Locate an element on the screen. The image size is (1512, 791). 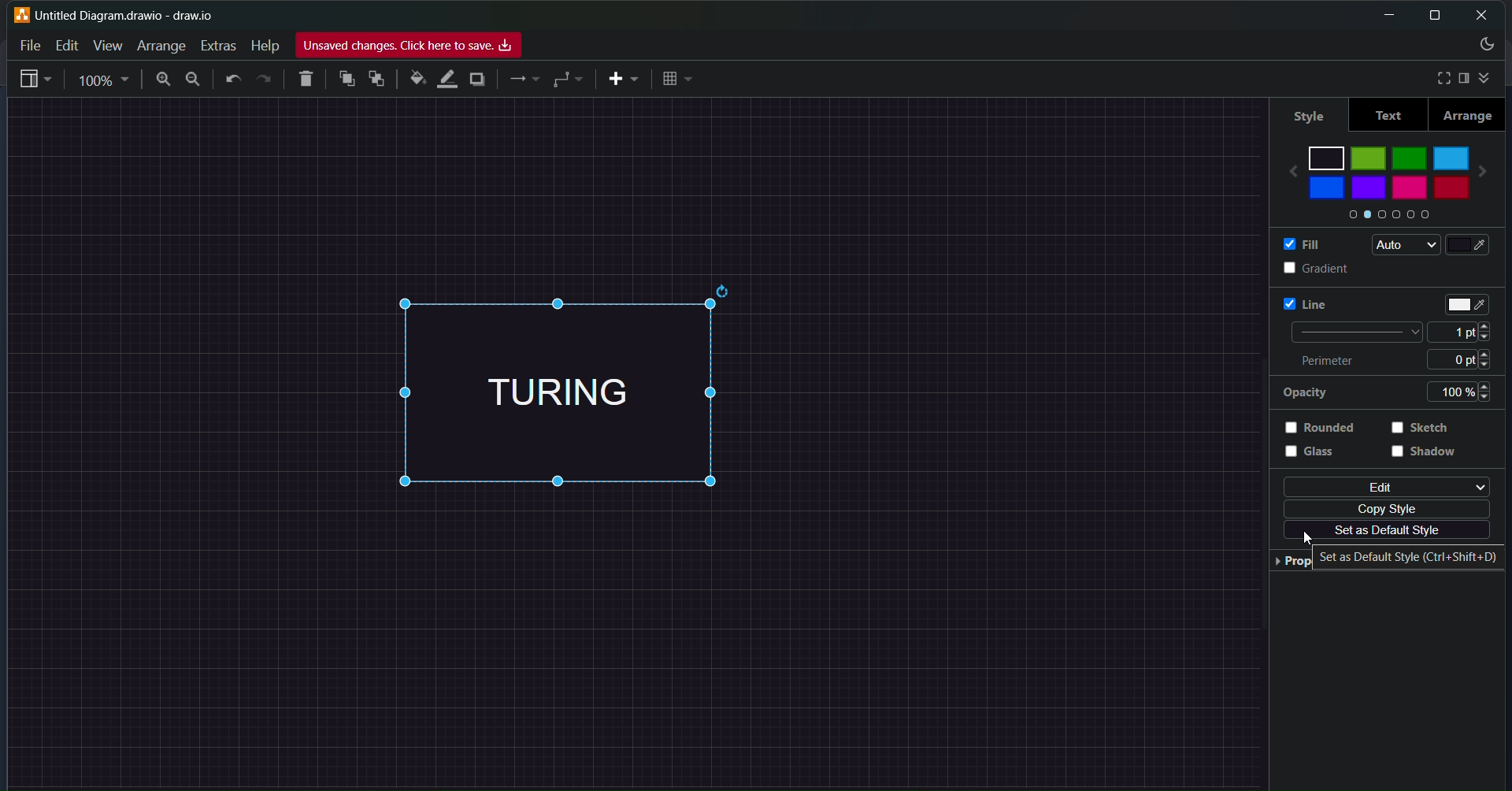
theme is located at coordinates (1485, 46).